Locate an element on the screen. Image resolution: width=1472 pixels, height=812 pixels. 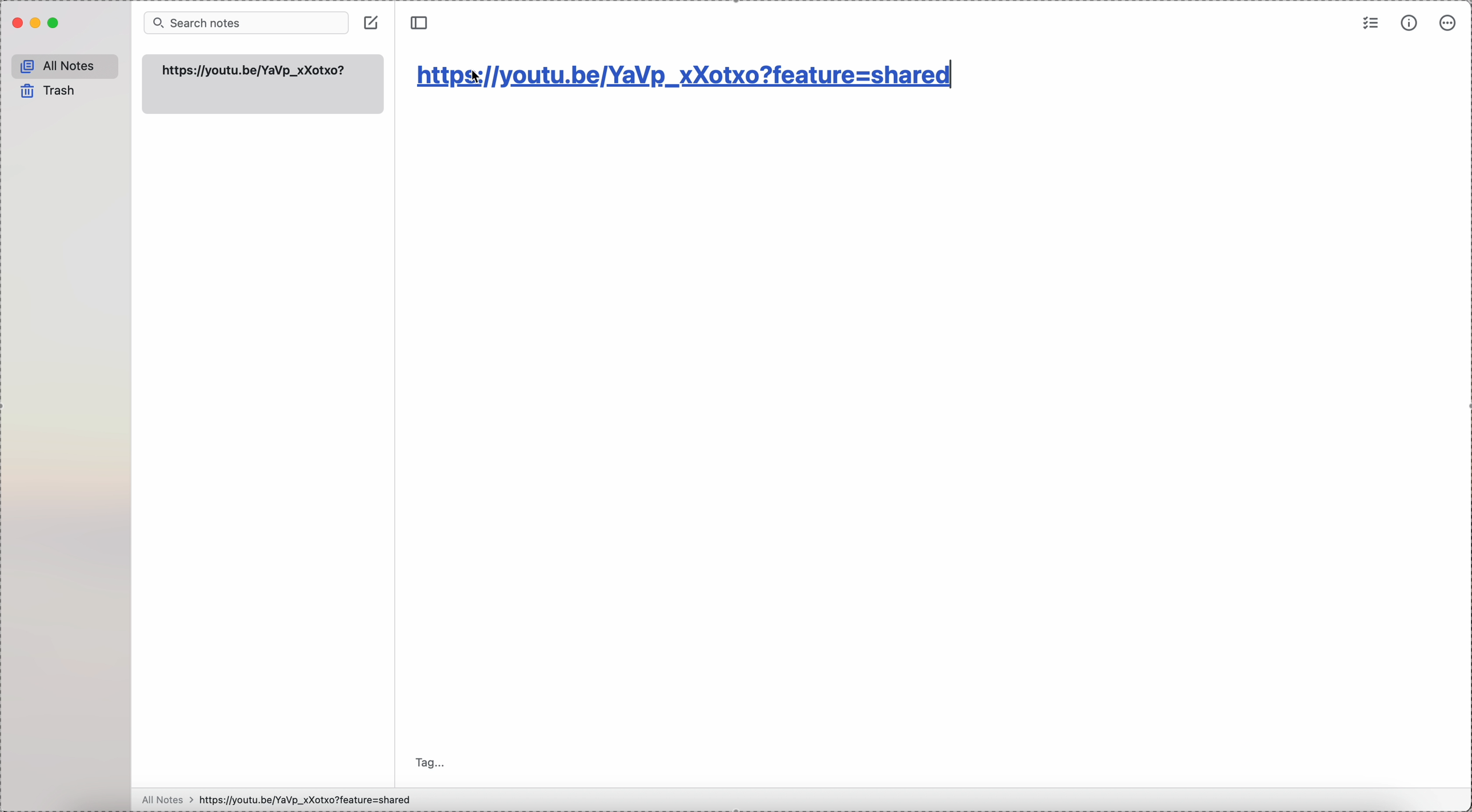
all notes > URL is located at coordinates (282, 799).